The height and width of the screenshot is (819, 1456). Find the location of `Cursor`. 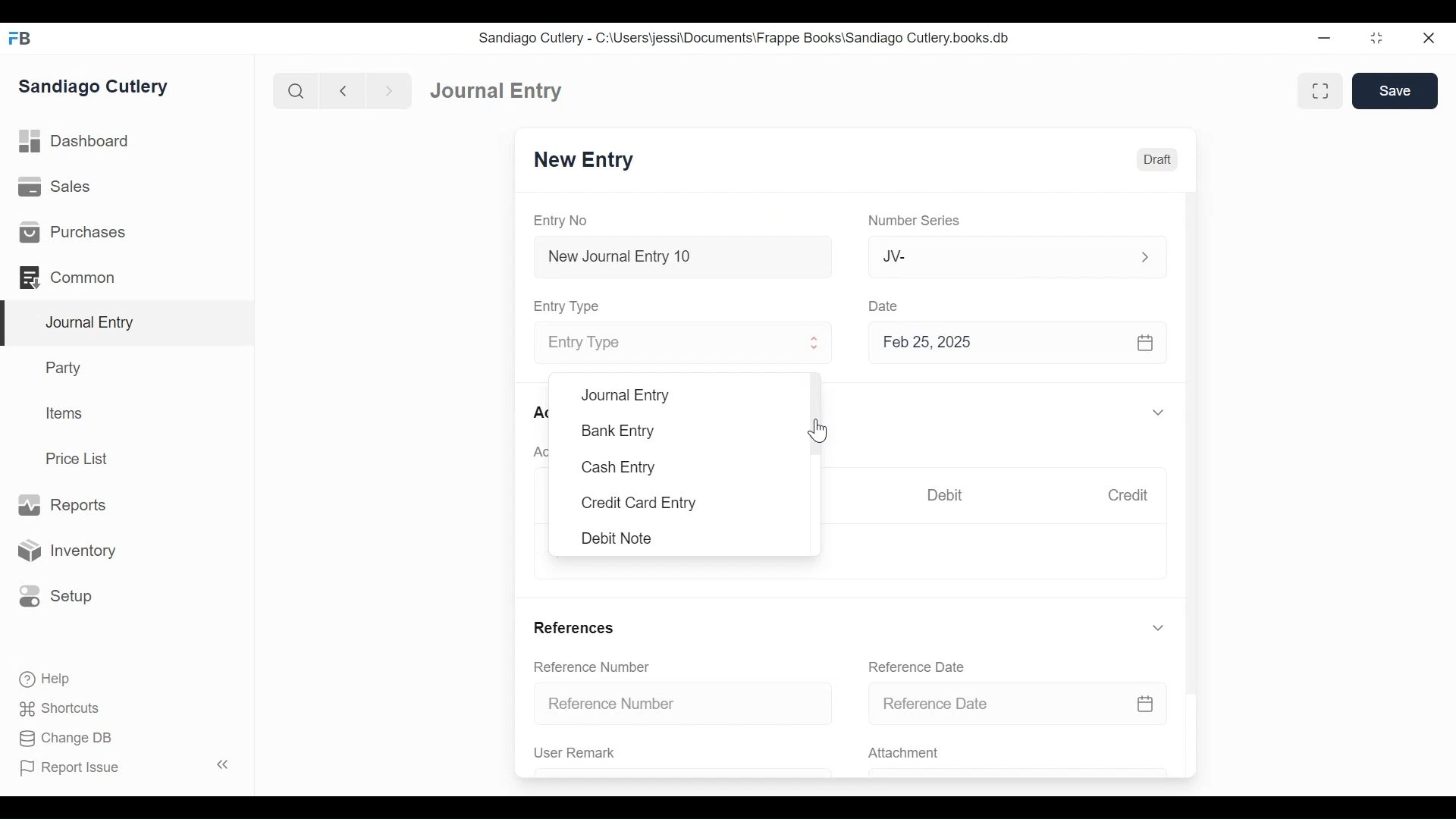

Cursor is located at coordinates (817, 428).